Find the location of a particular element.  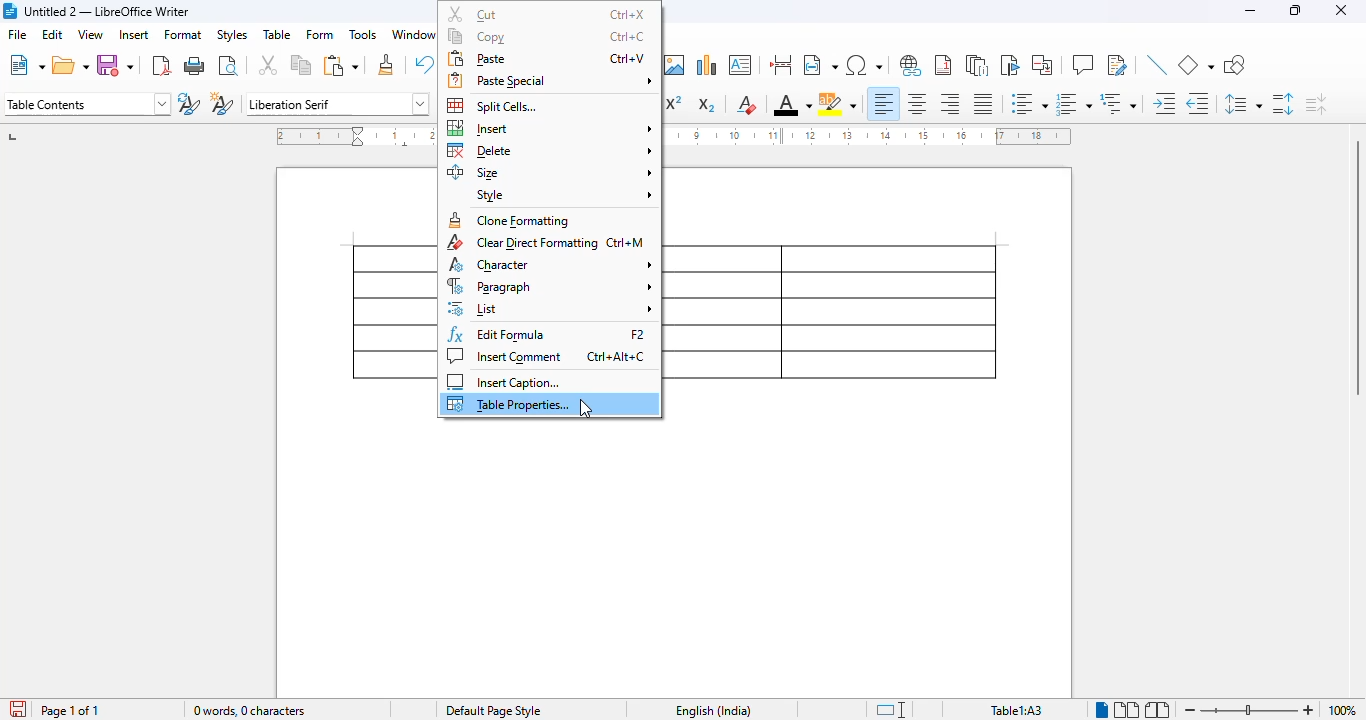

insert is located at coordinates (550, 127).